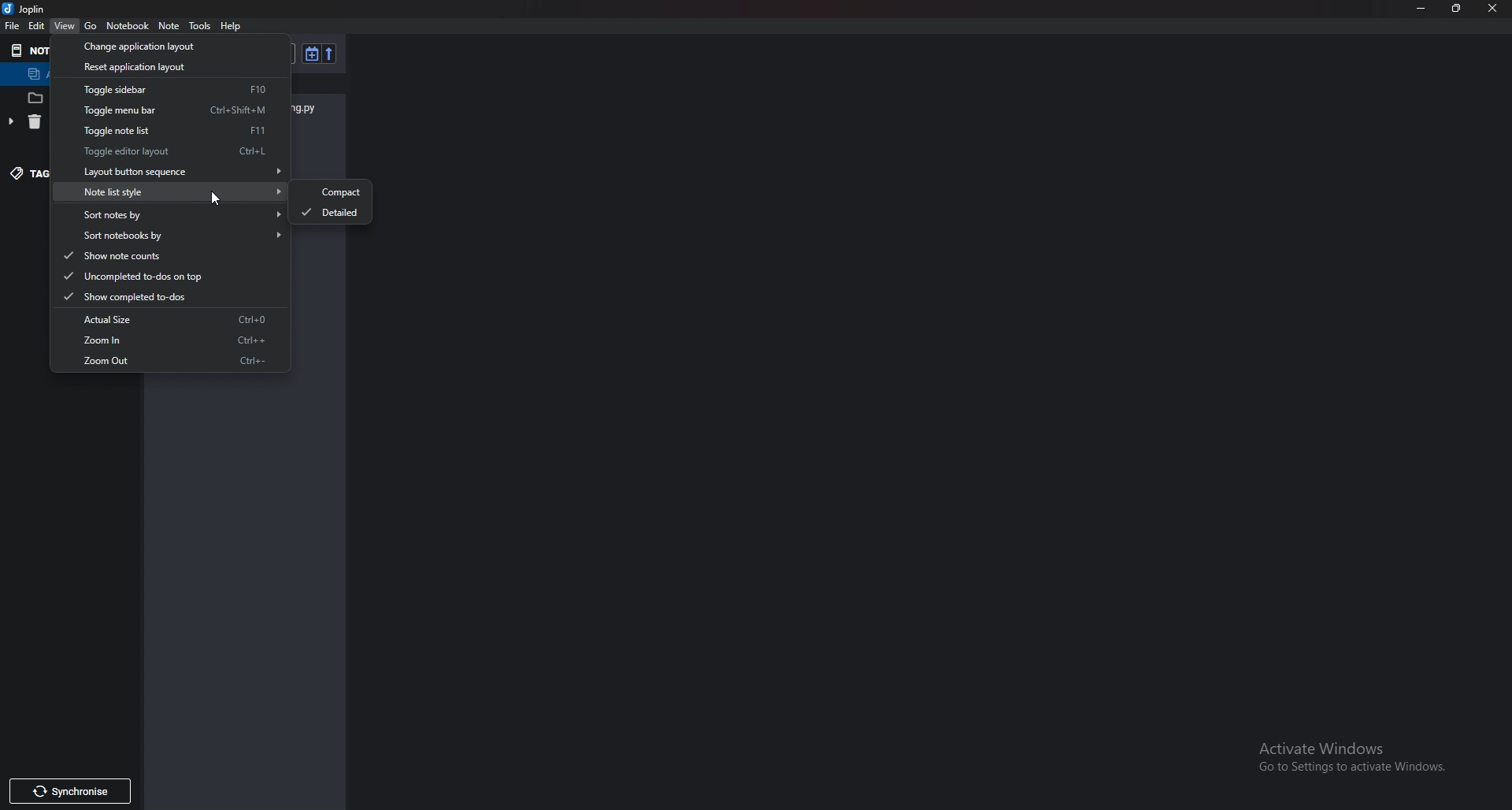 Image resolution: width=1512 pixels, height=810 pixels. I want to click on close, so click(1495, 8).